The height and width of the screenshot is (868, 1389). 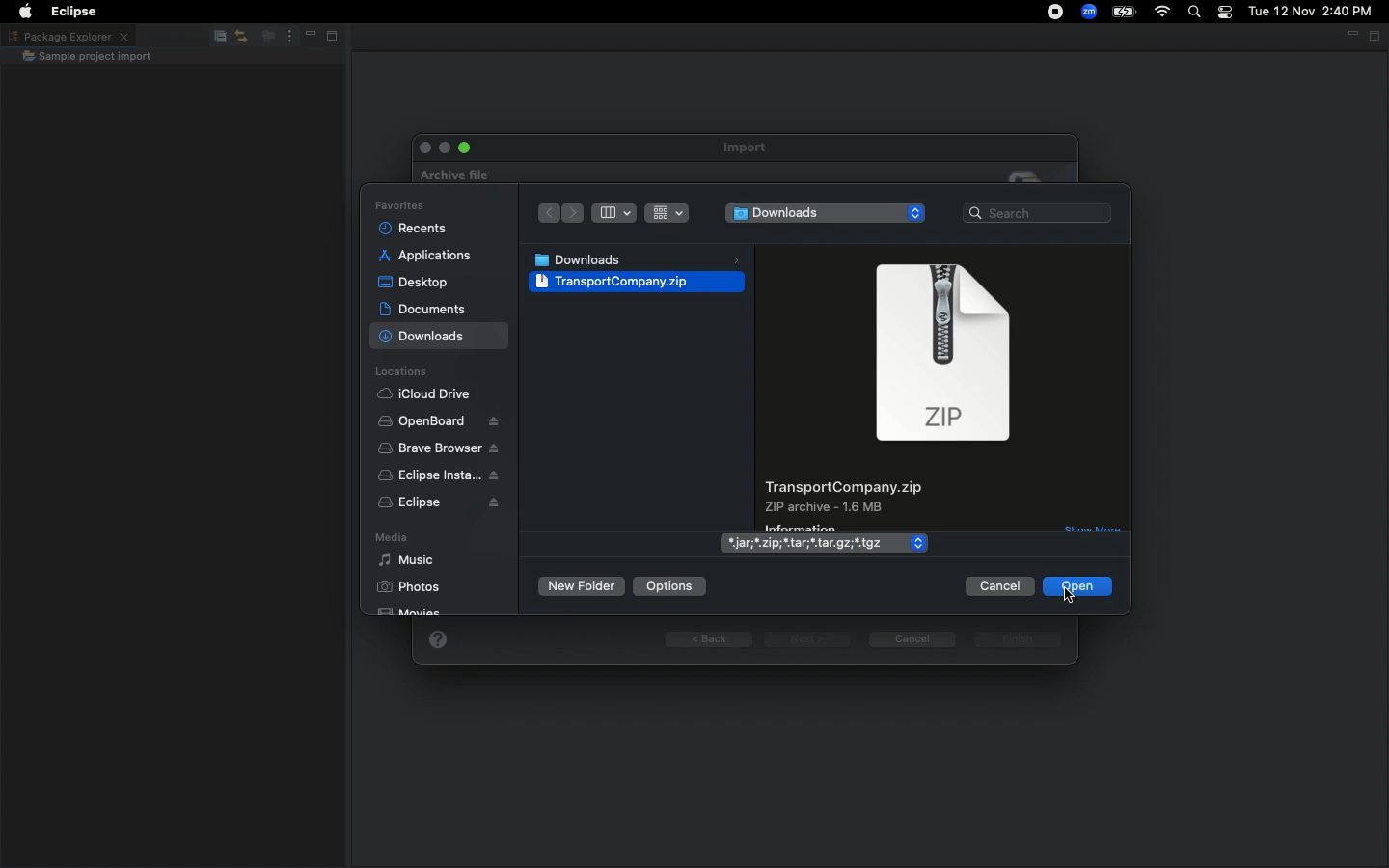 What do you see at coordinates (1038, 214) in the screenshot?
I see `Search` at bounding box center [1038, 214].